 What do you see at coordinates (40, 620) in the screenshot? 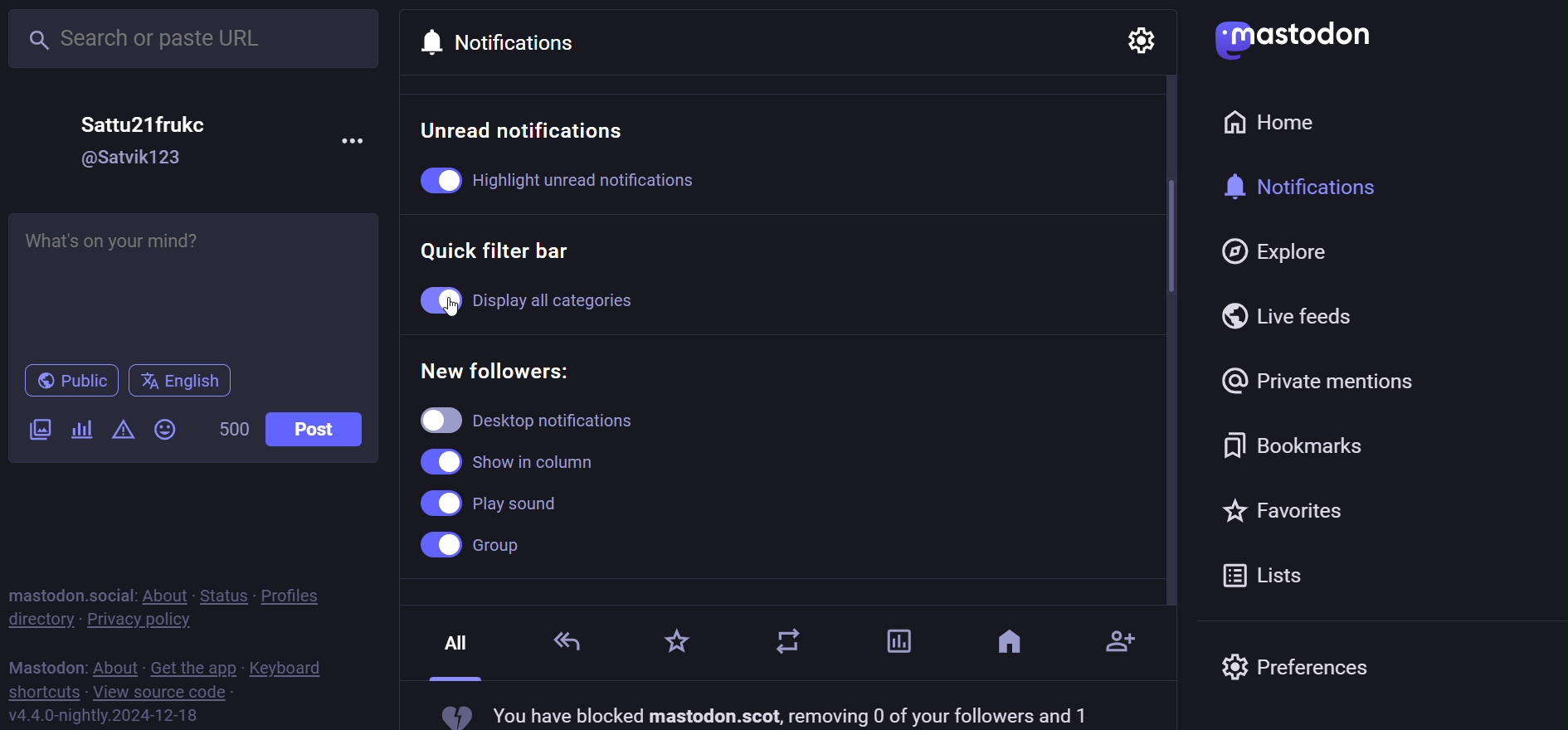
I see `directory` at bounding box center [40, 620].